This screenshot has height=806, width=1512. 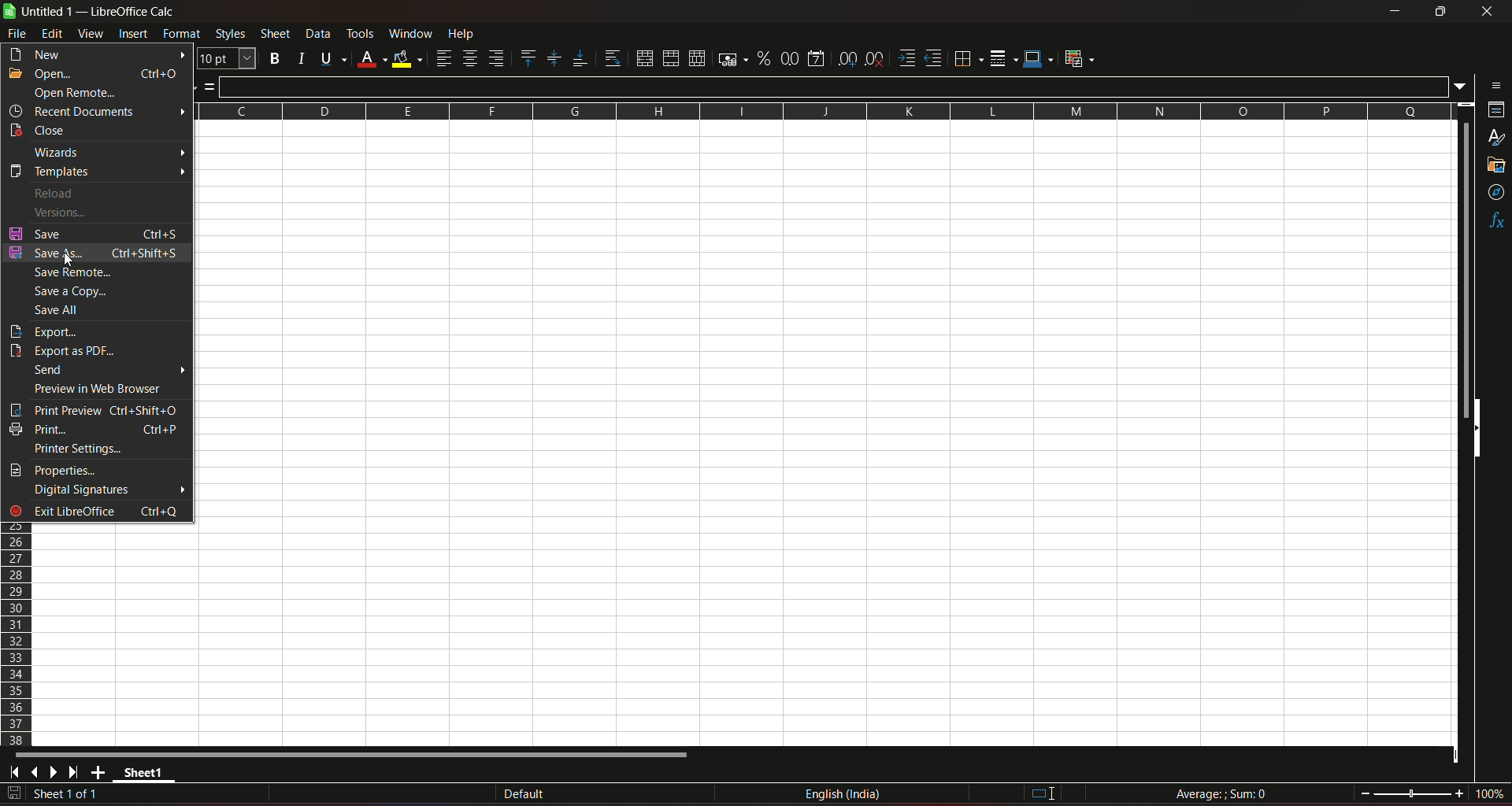 What do you see at coordinates (818, 57) in the screenshot?
I see `format as date` at bounding box center [818, 57].